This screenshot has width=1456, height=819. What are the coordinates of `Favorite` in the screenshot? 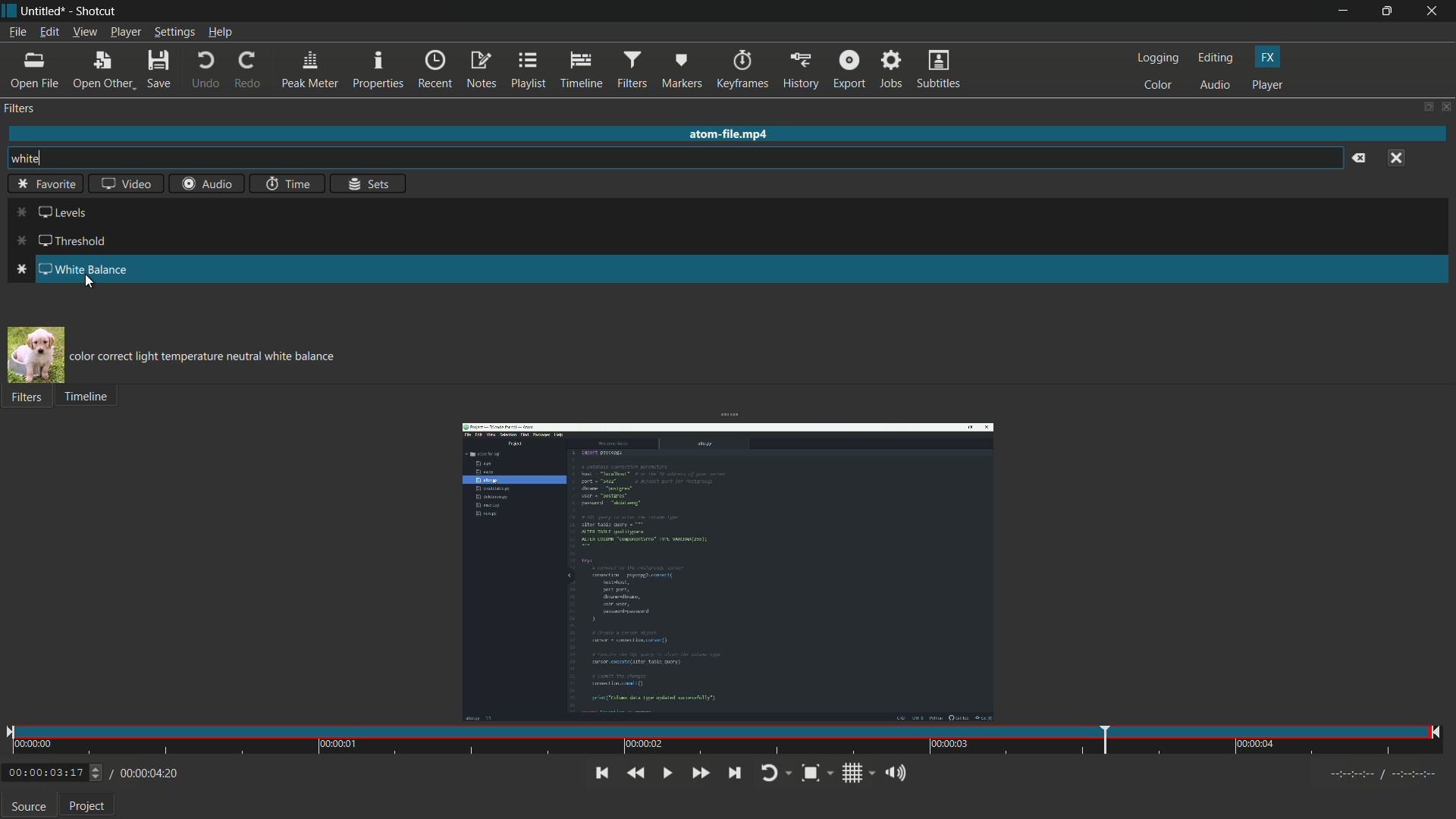 It's located at (49, 185).